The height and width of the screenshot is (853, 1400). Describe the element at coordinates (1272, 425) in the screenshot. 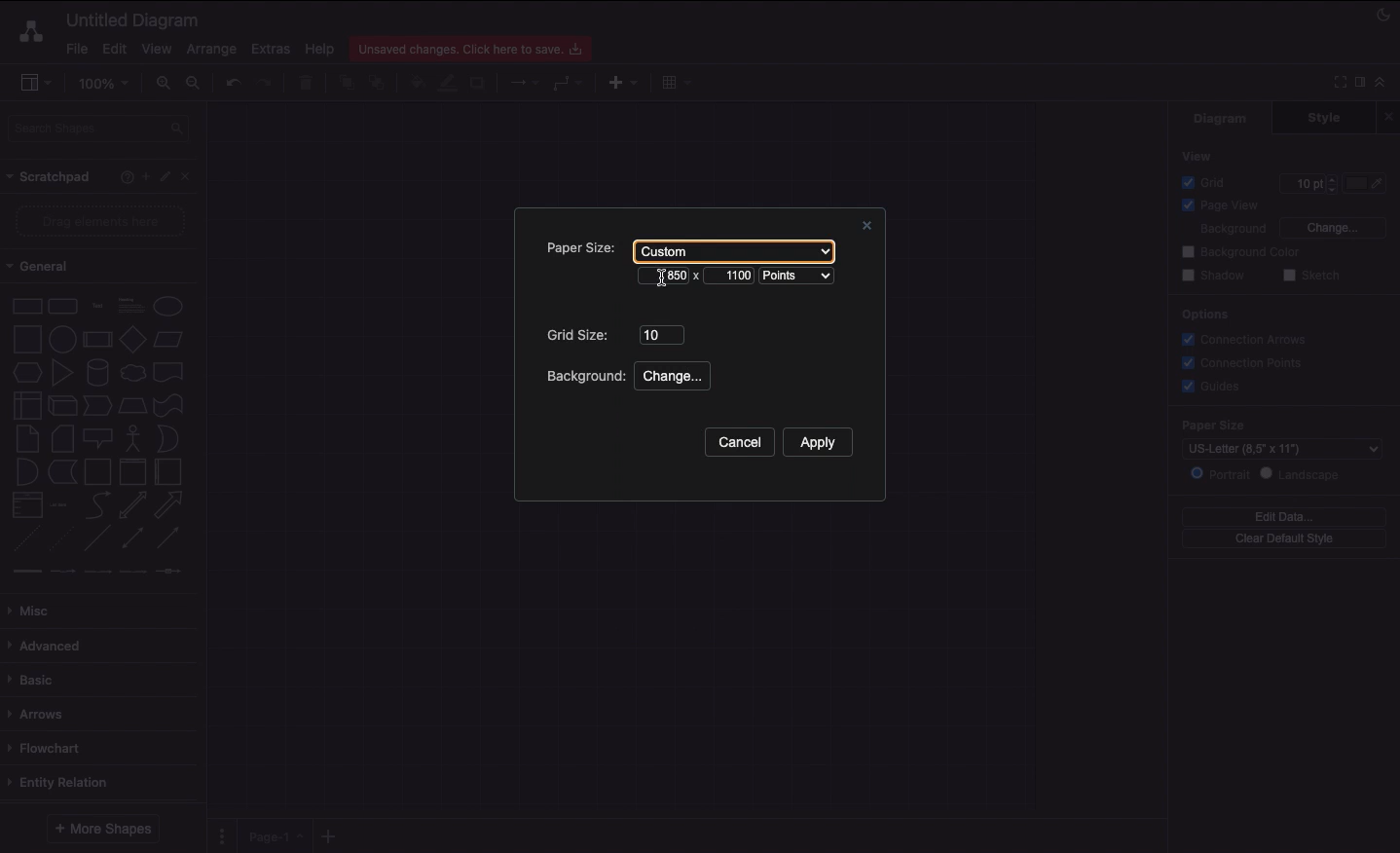

I see `Paper size` at that location.